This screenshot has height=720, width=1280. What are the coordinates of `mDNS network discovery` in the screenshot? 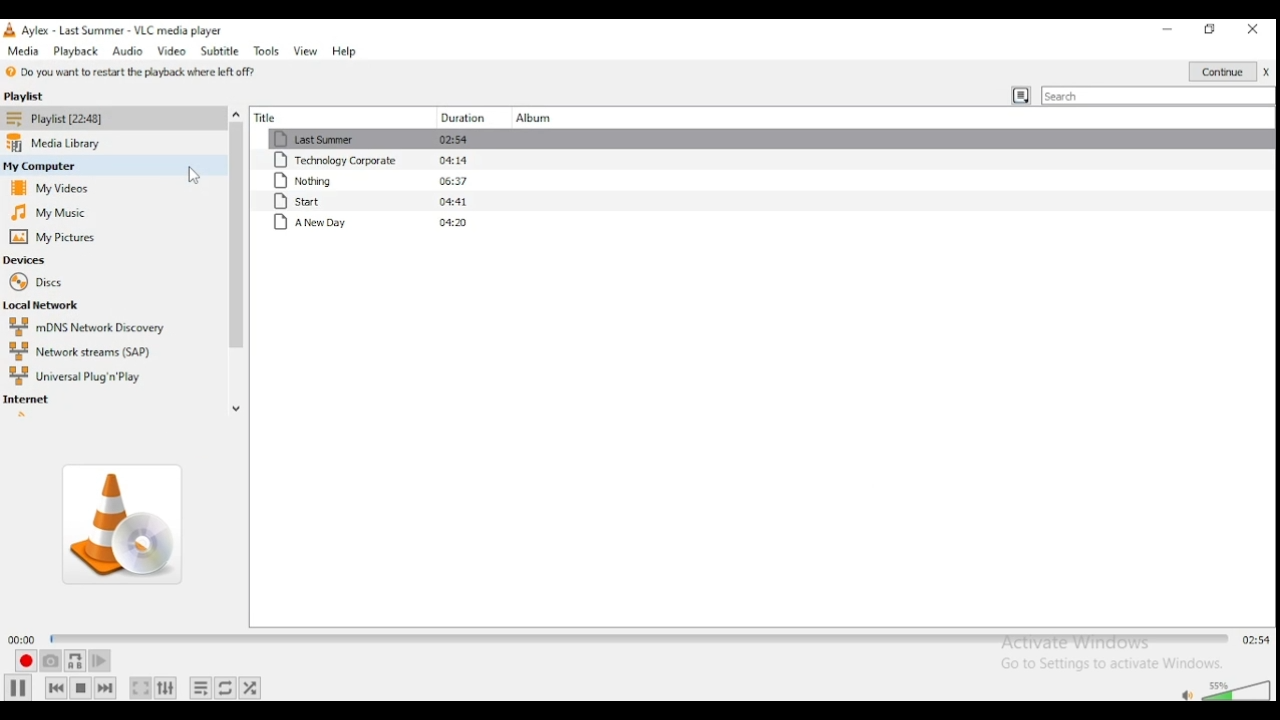 It's located at (93, 326).